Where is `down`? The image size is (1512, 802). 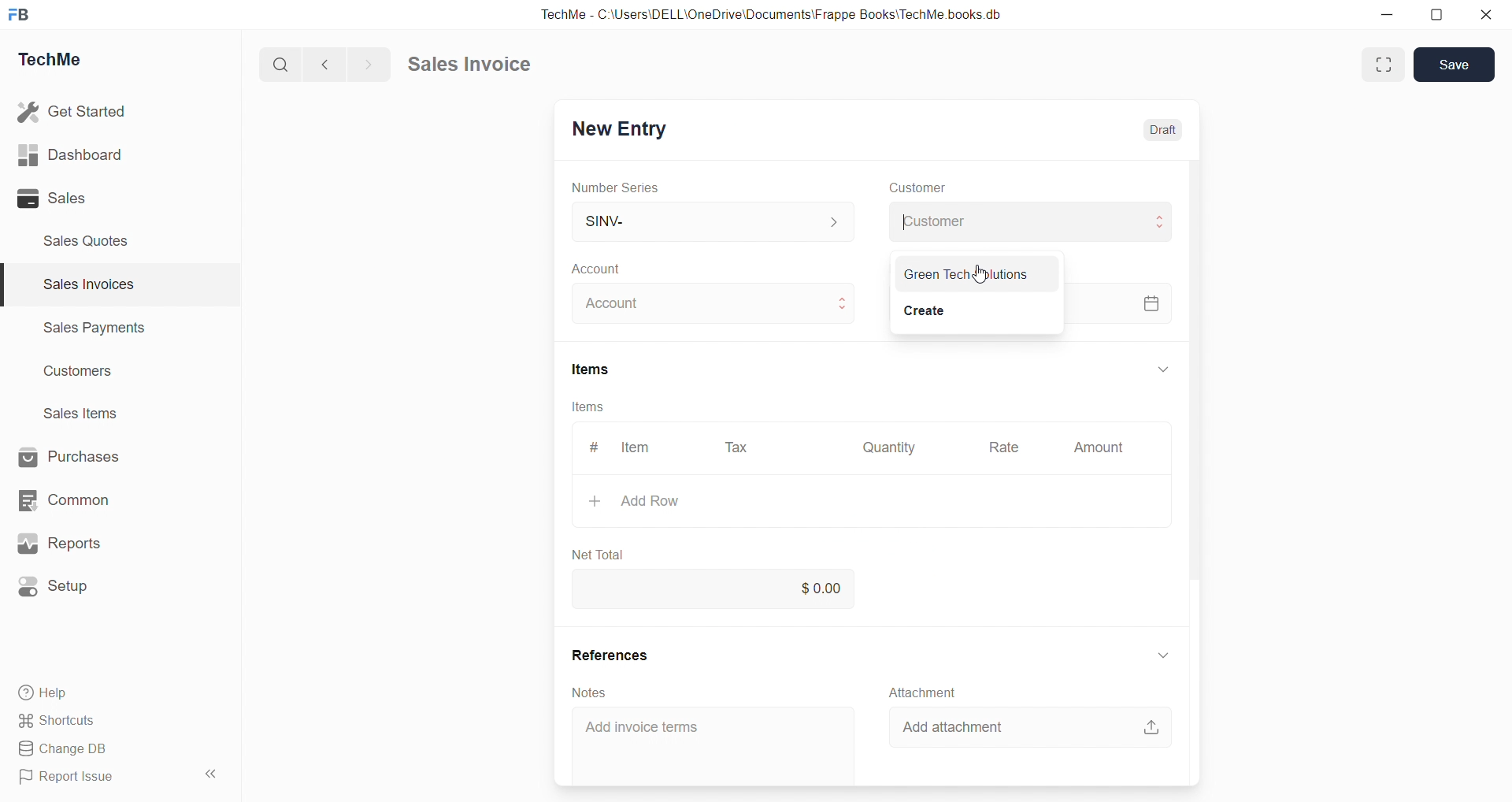
down is located at coordinates (1162, 657).